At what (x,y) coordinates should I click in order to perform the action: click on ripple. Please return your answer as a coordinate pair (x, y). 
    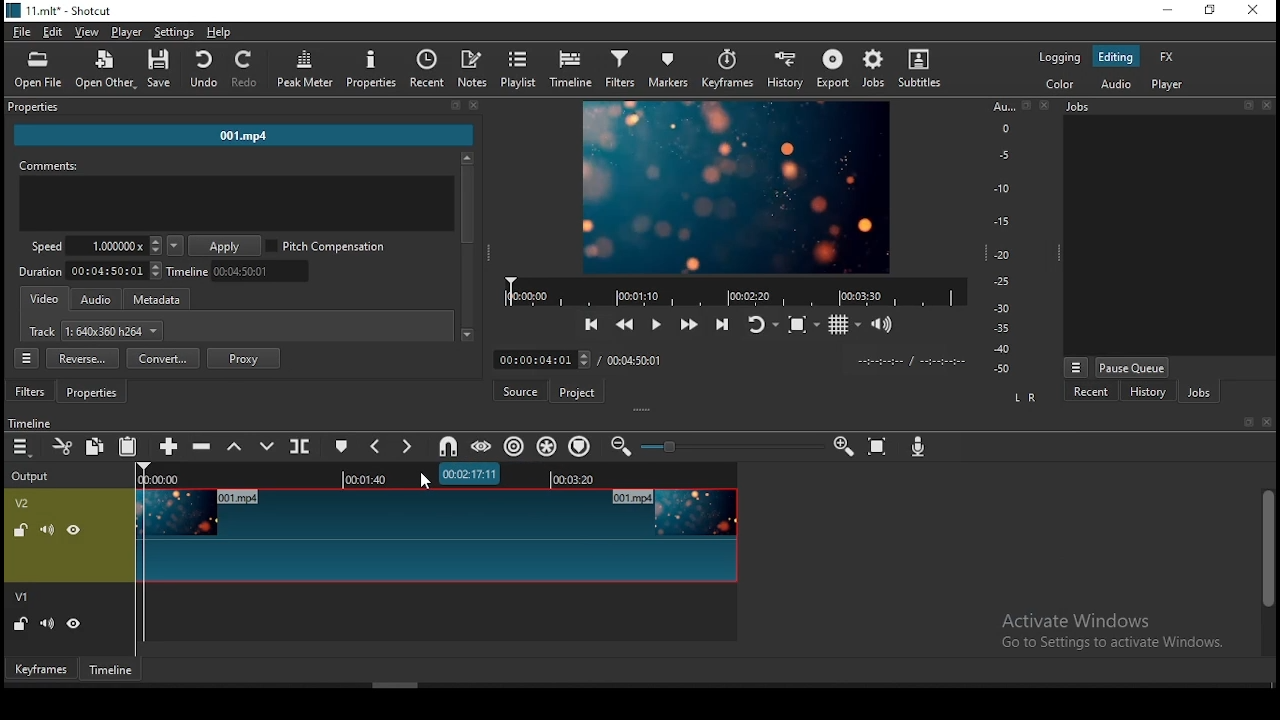
    Looking at the image, I should click on (515, 446).